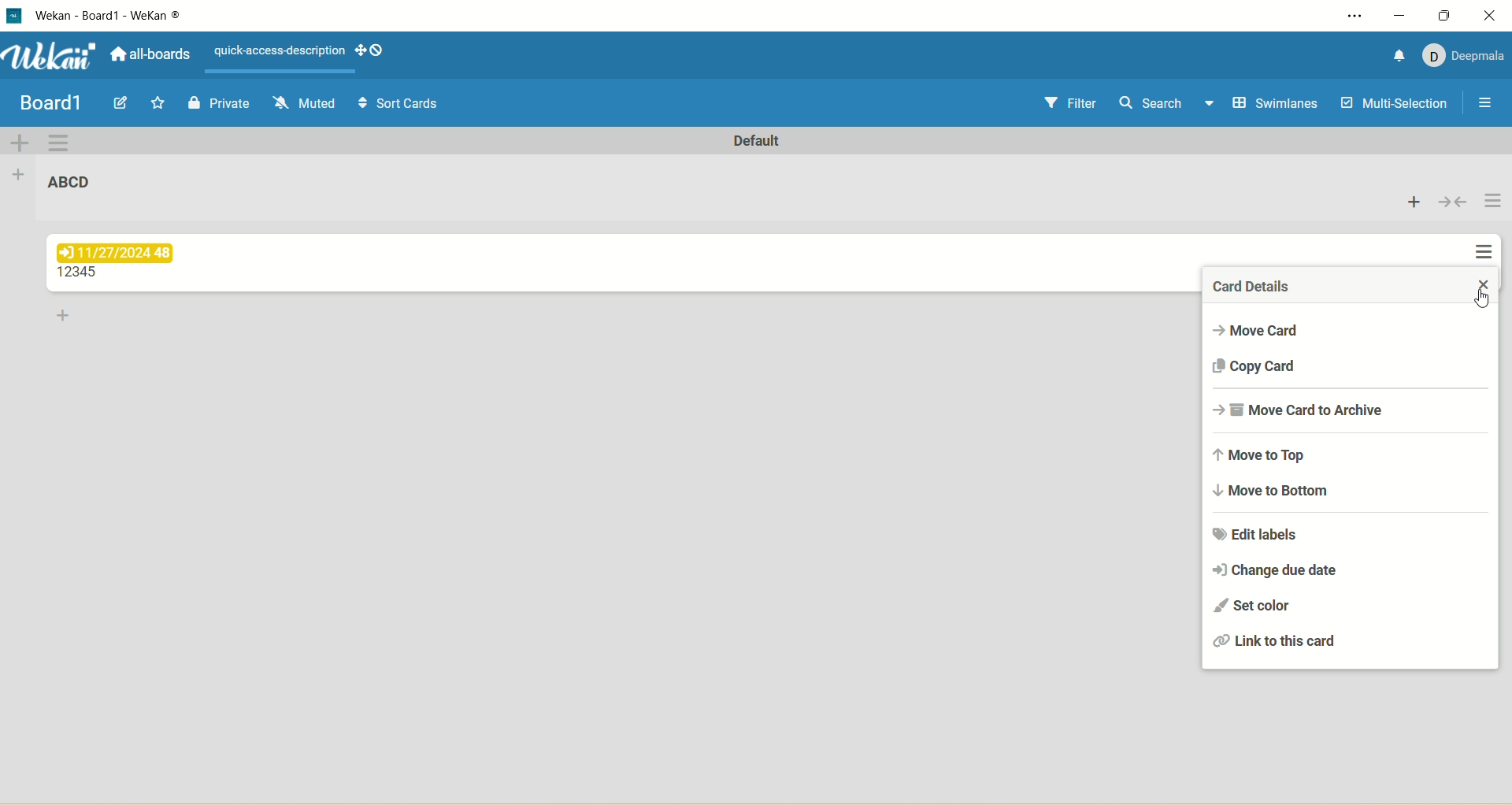 This screenshot has width=1512, height=805. I want to click on move to bottom, so click(1277, 493).